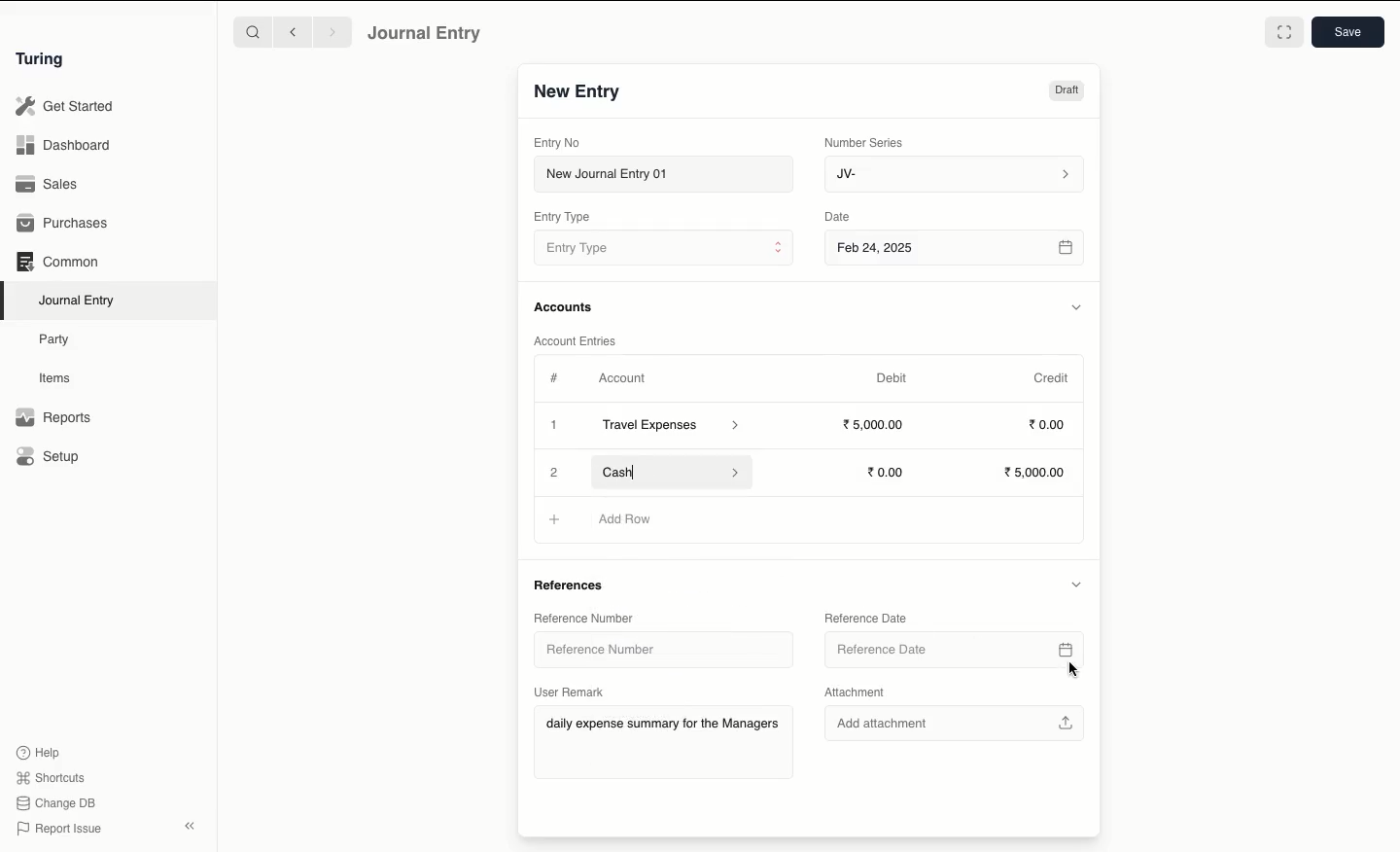  I want to click on Entry Type, so click(562, 217).